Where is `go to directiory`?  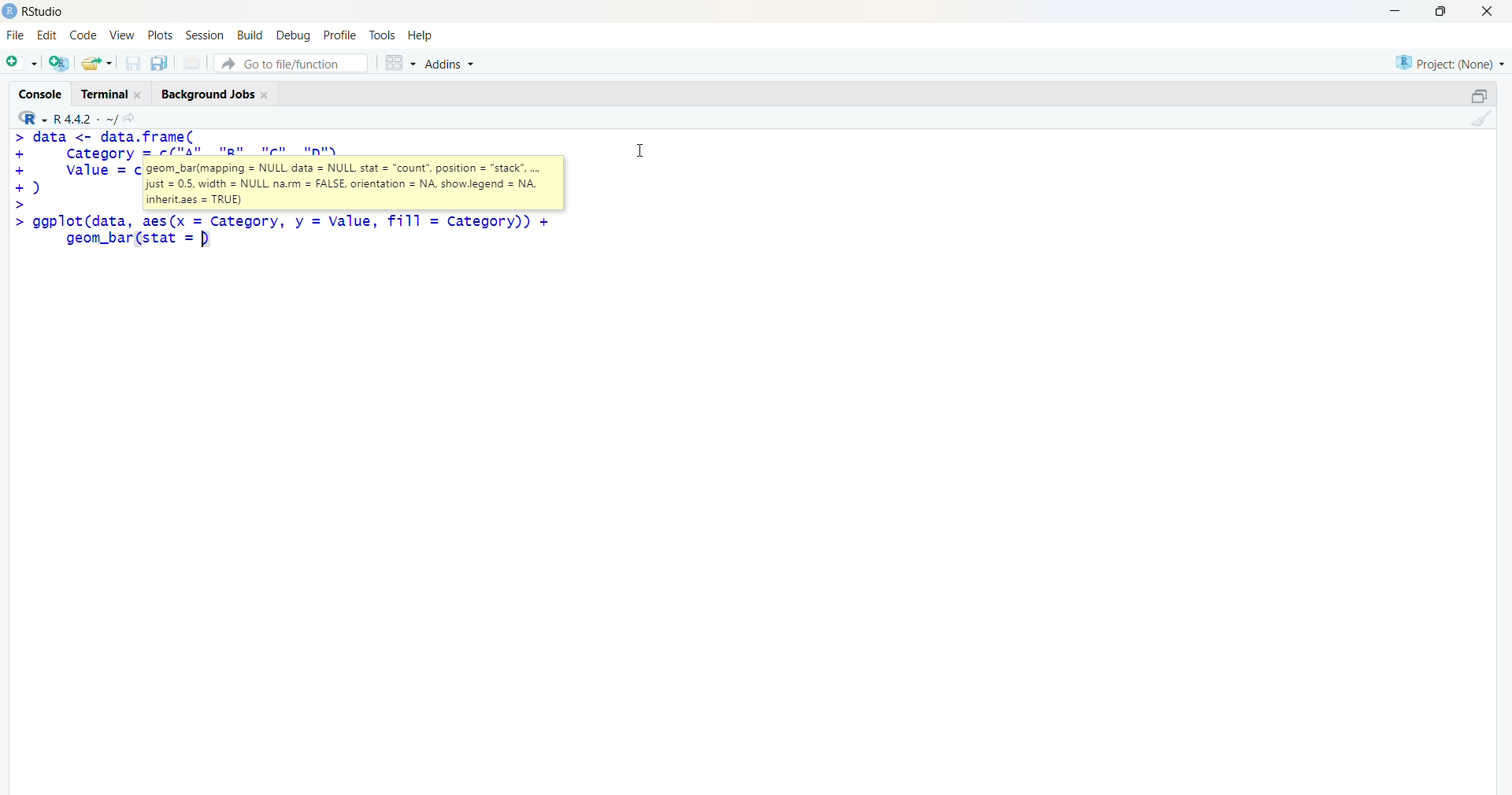
go to directiory is located at coordinates (133, 118).